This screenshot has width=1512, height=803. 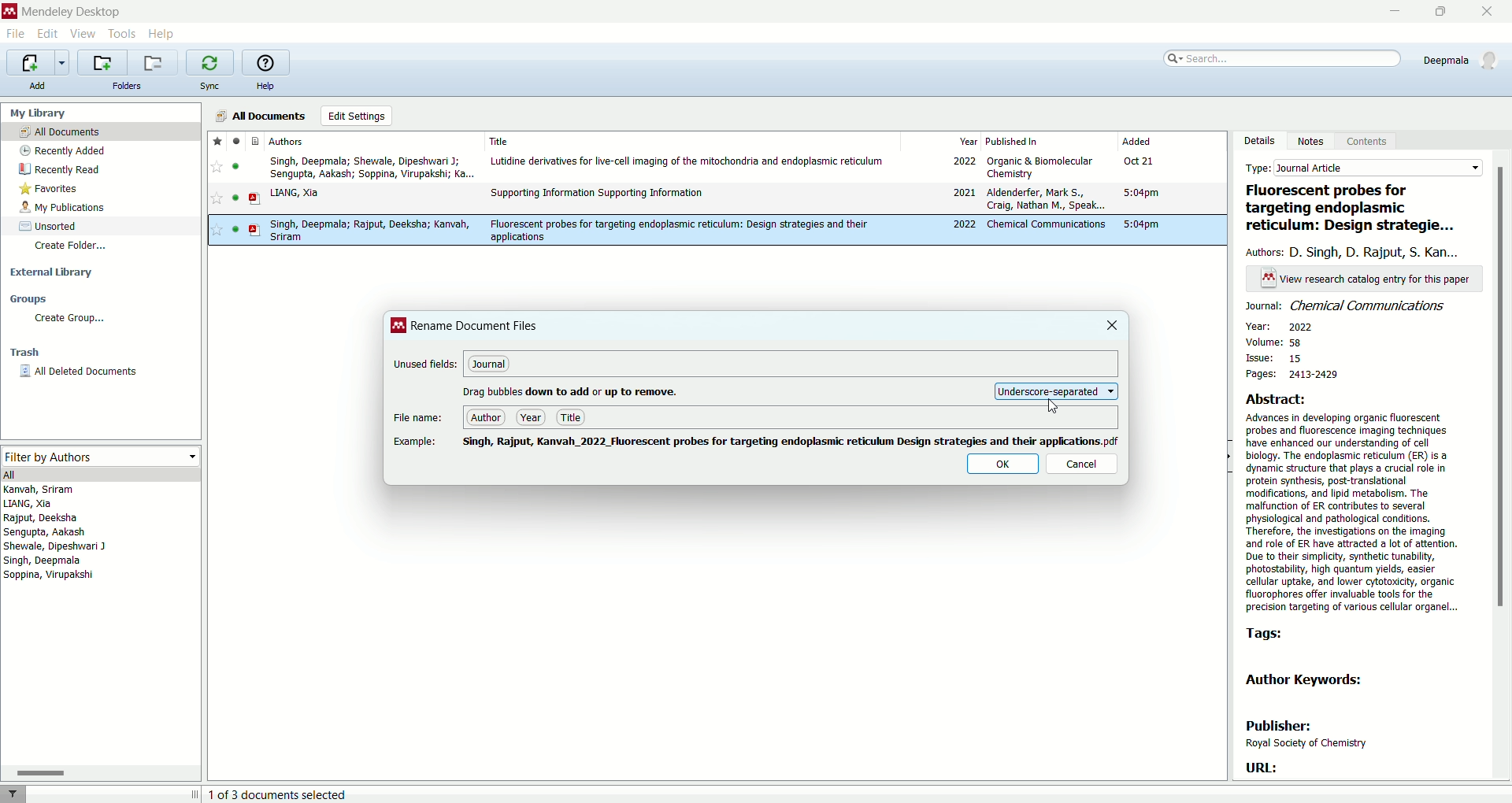 What do you see at coordinates (235, 200) in the screenshot?
I see `read/unread` at bounding box center [235, 200].